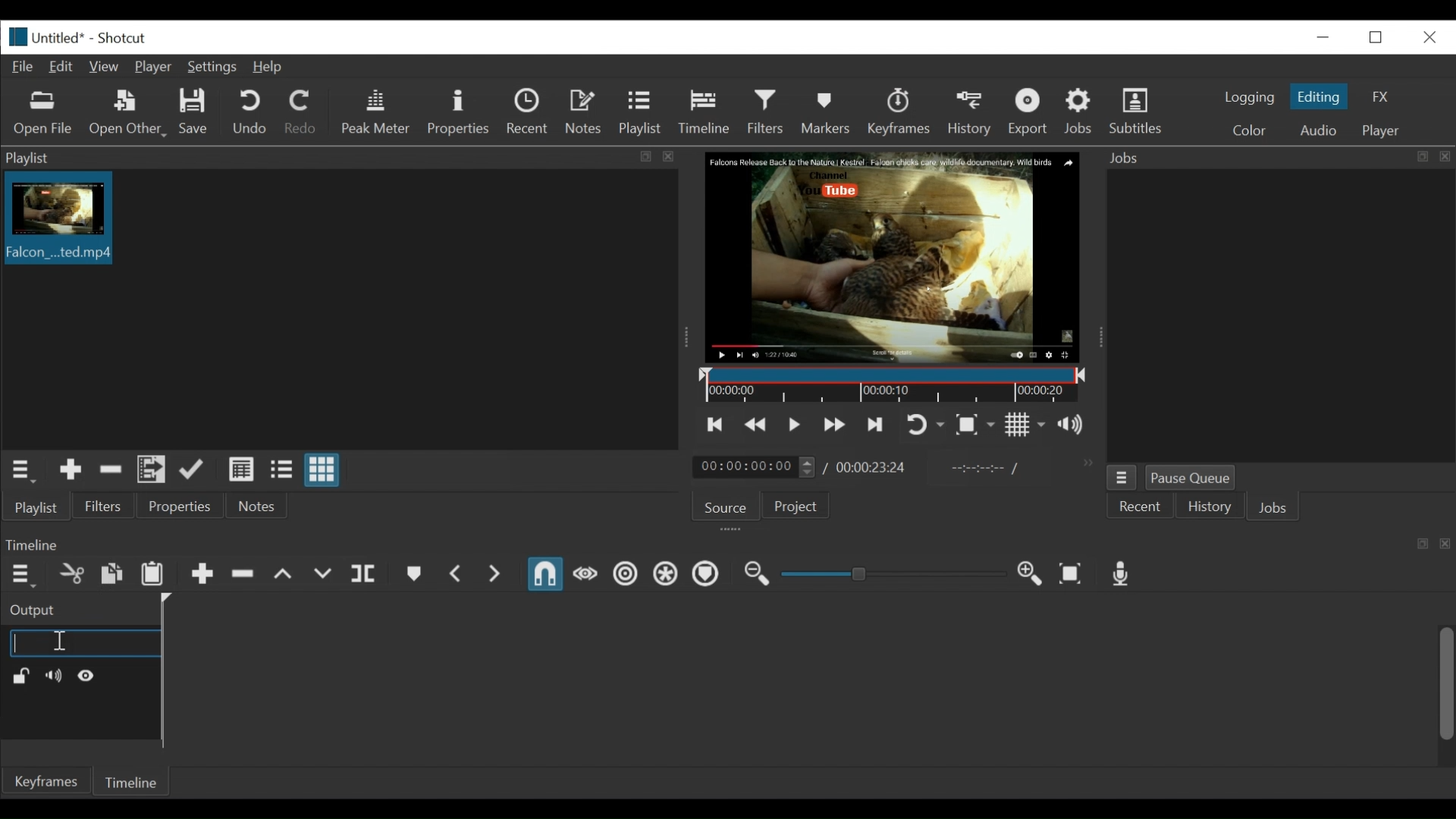 The image size is (1456, 819). I want to click on Zoom timeline out, so click(755, 574).